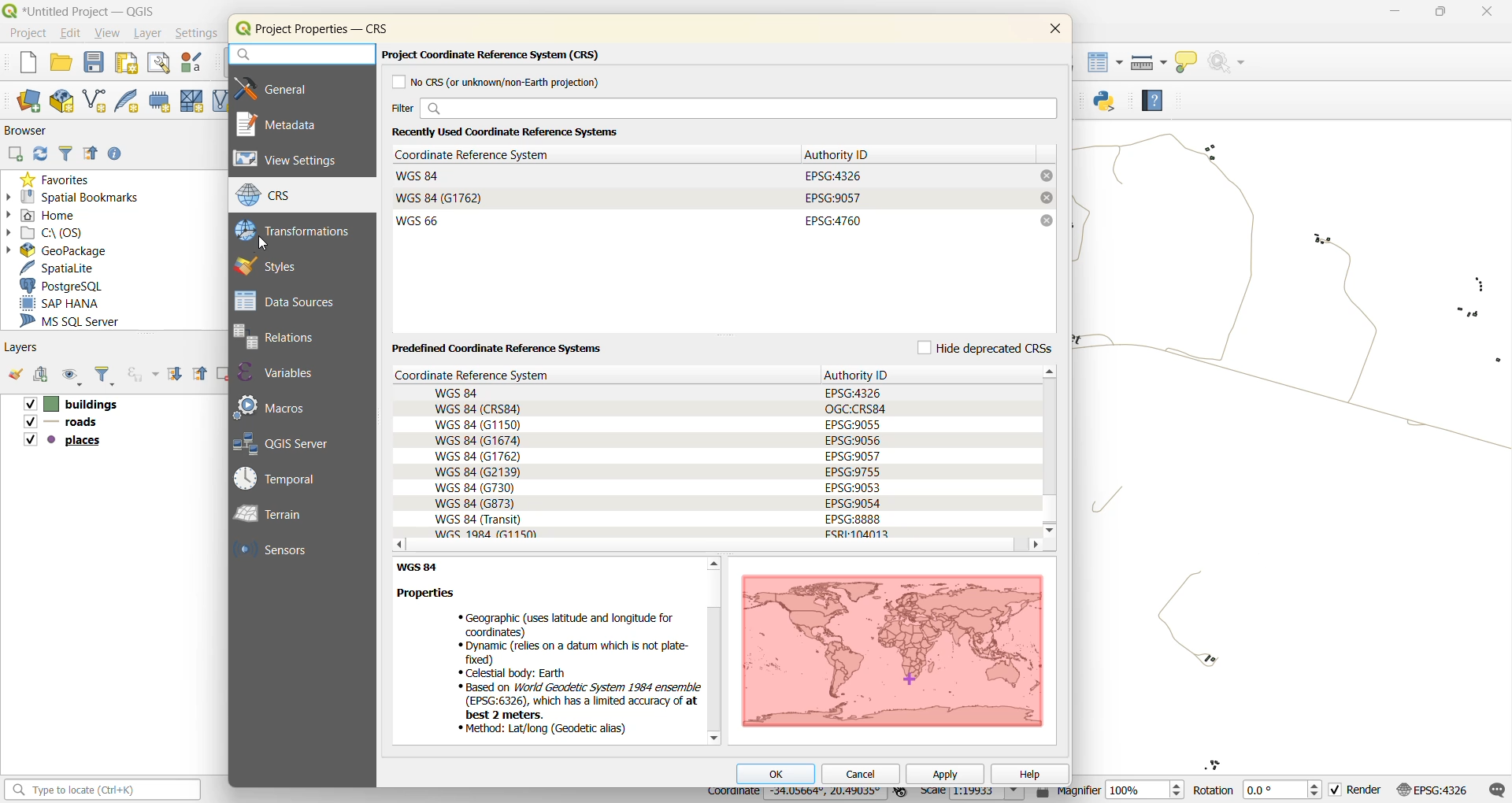 This screenshot has width=1512, height=803. What do you see at coordinates (853, 392) in the screenshot?
I see `ESPG:4326` at bounding box center [853, 392].